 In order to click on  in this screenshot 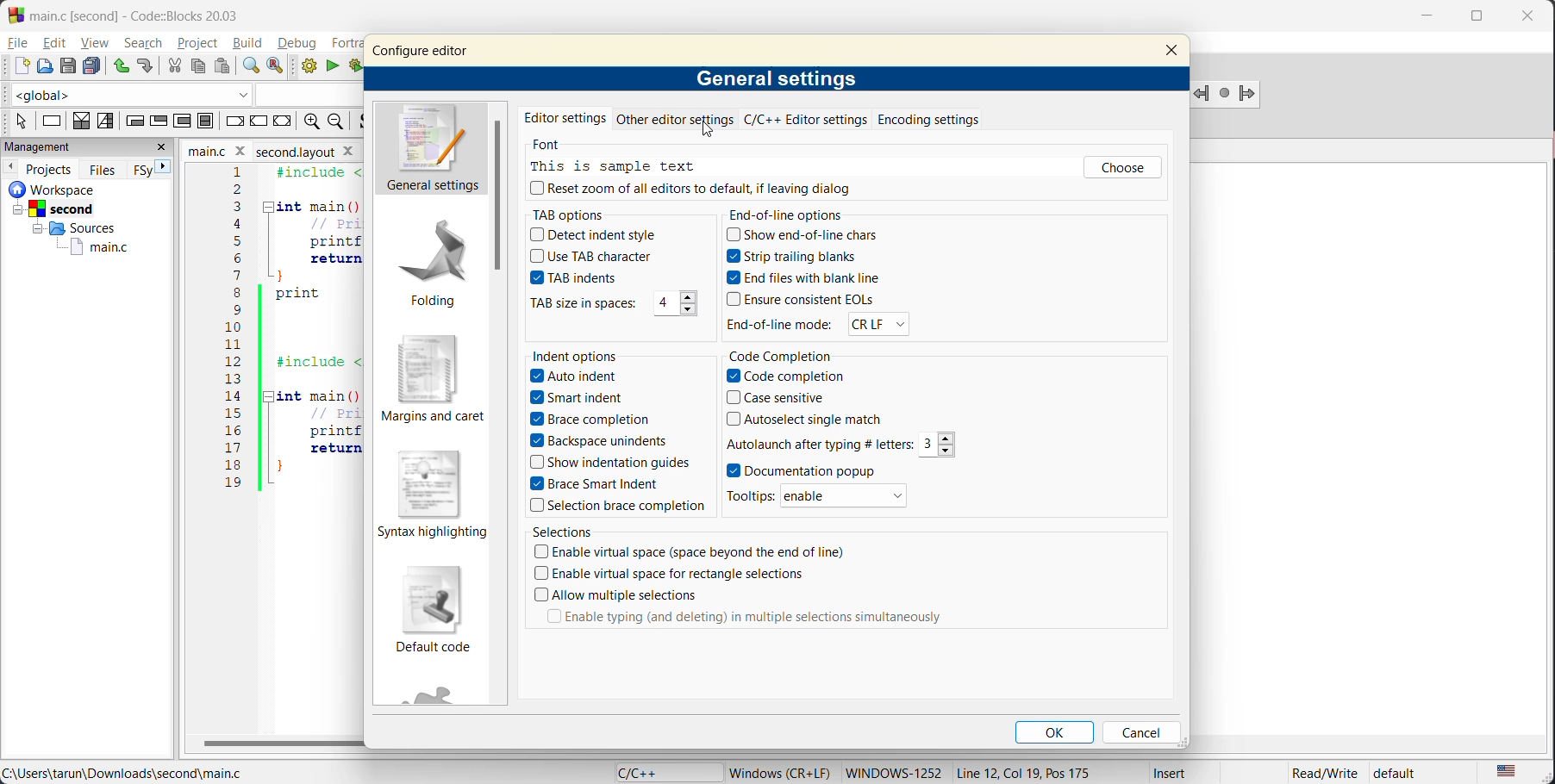, I will do `click(943, 444)`.